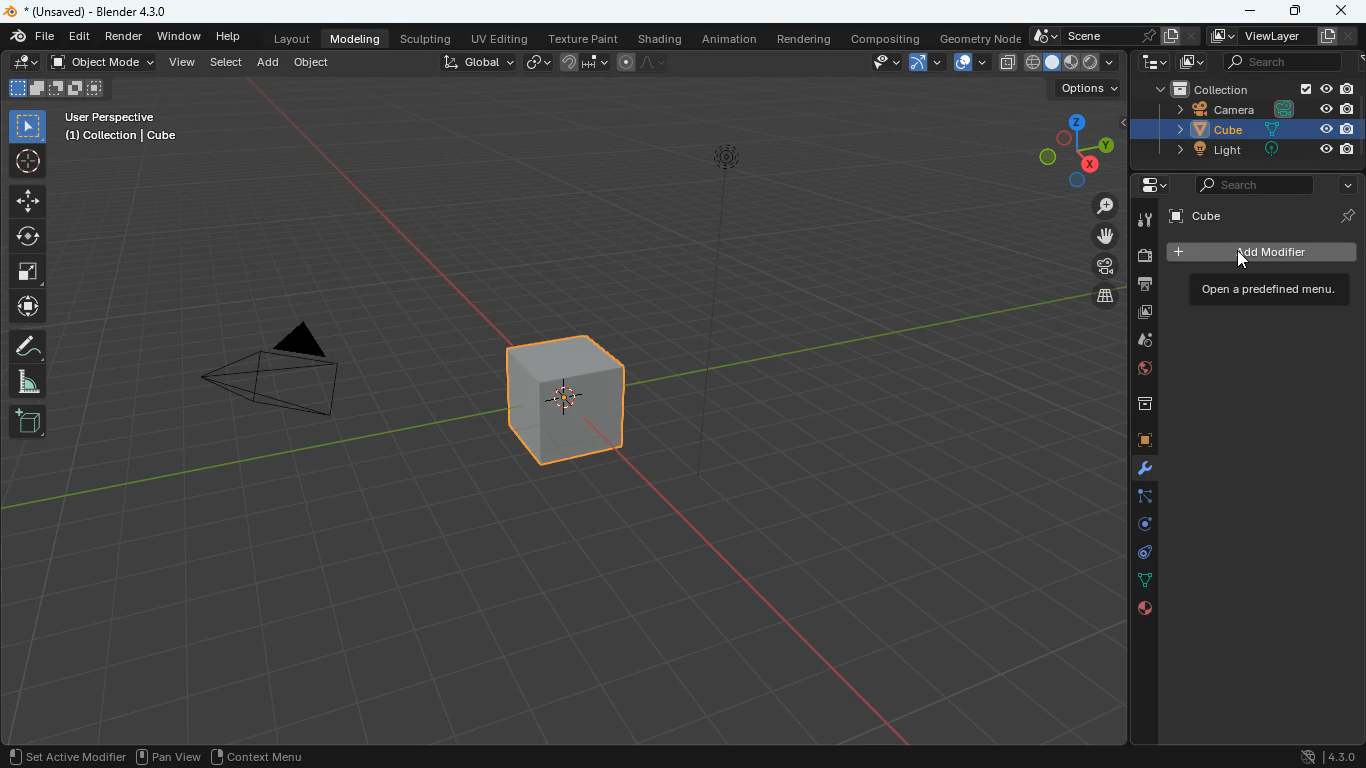 This screenshot has width=1366, height=768. Describe the element at coordinates (732, 39) in the screenshot. I see `animation` at that location.